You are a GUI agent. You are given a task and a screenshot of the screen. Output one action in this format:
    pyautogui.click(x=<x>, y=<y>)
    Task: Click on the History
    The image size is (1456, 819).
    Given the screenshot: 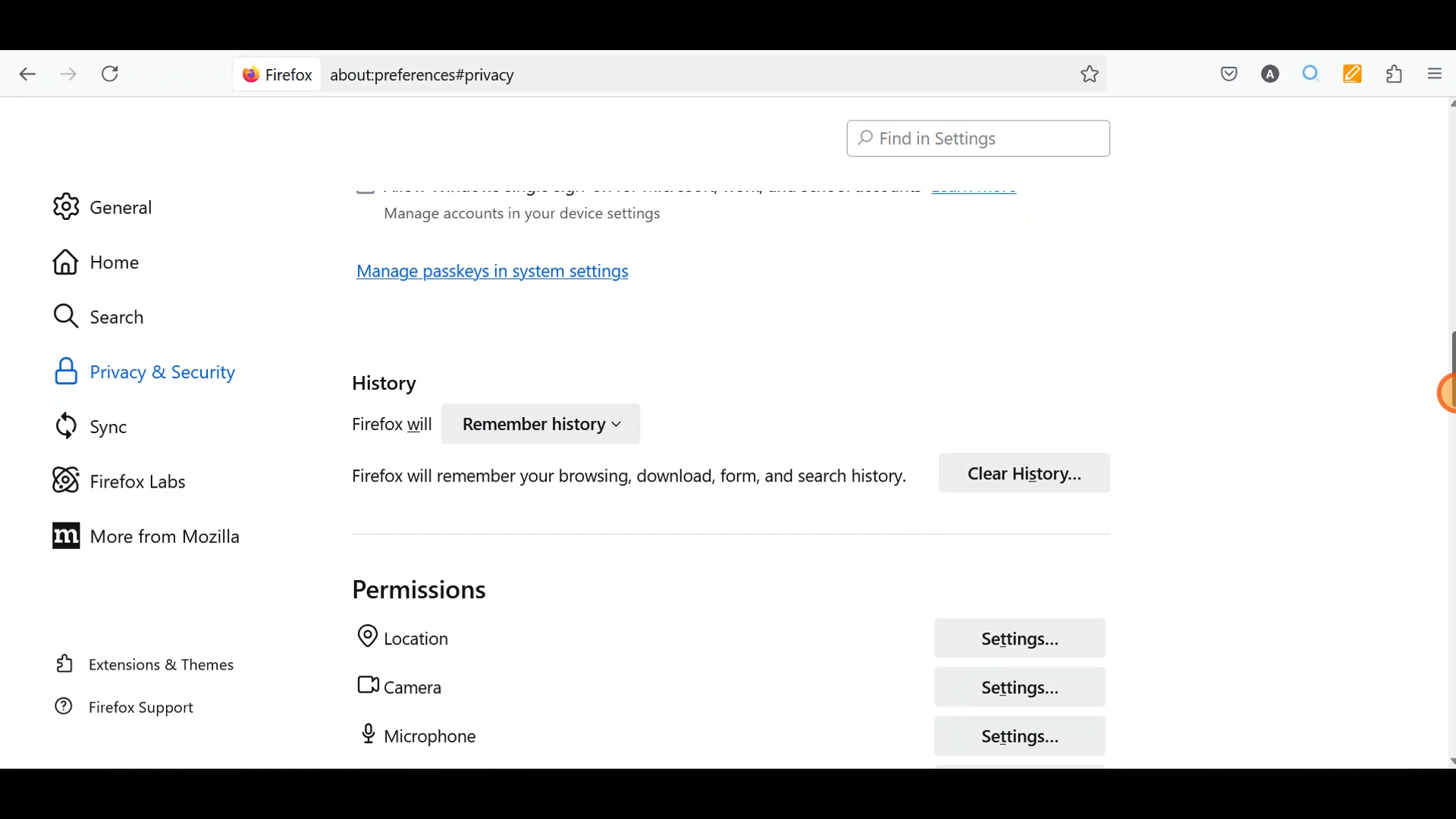 What is the action you would take?
    pyautogui.click(x=388, y=378)
    